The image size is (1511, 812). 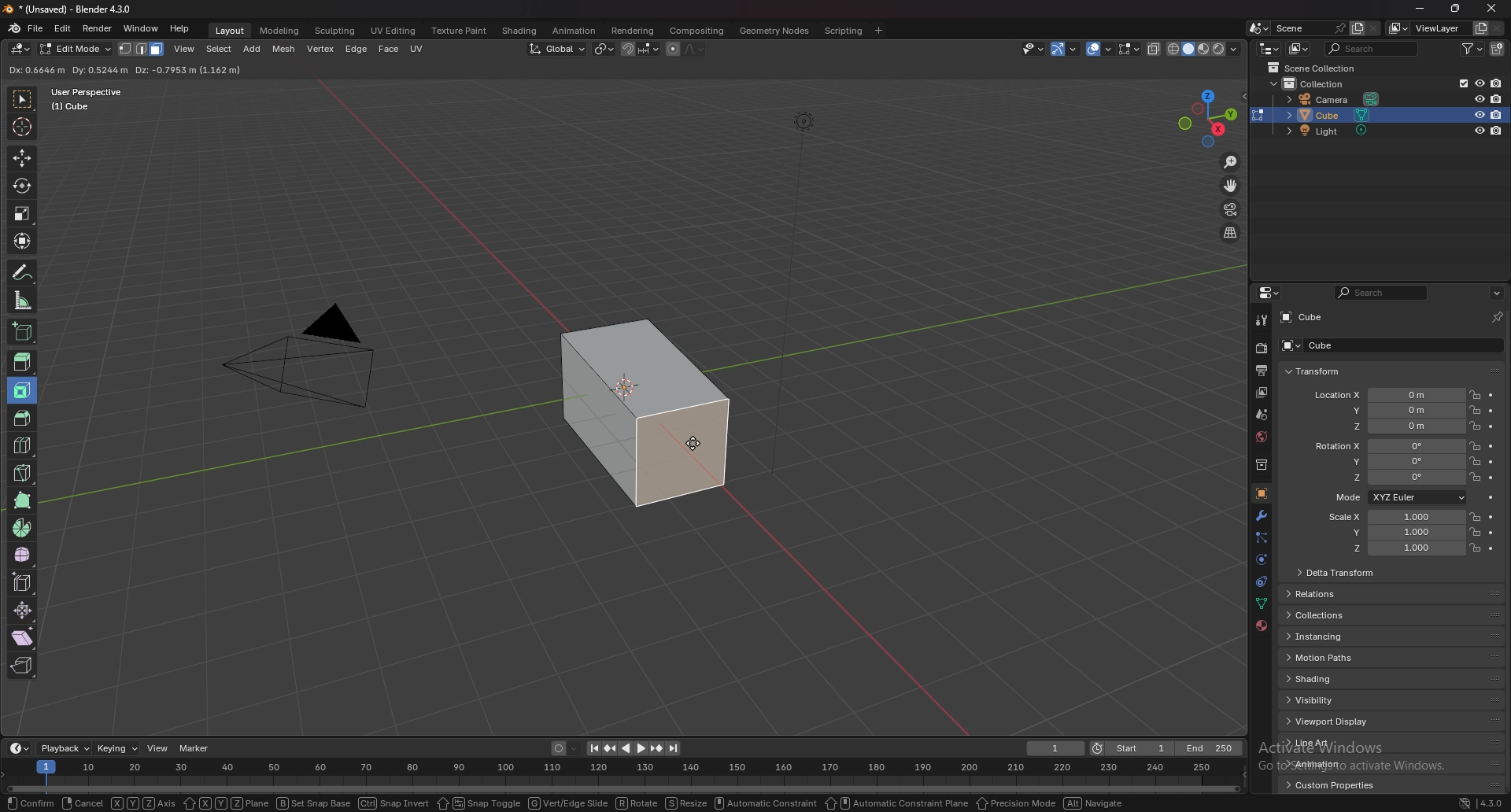 I want to click on set snap base, so click(x=314, y=803).